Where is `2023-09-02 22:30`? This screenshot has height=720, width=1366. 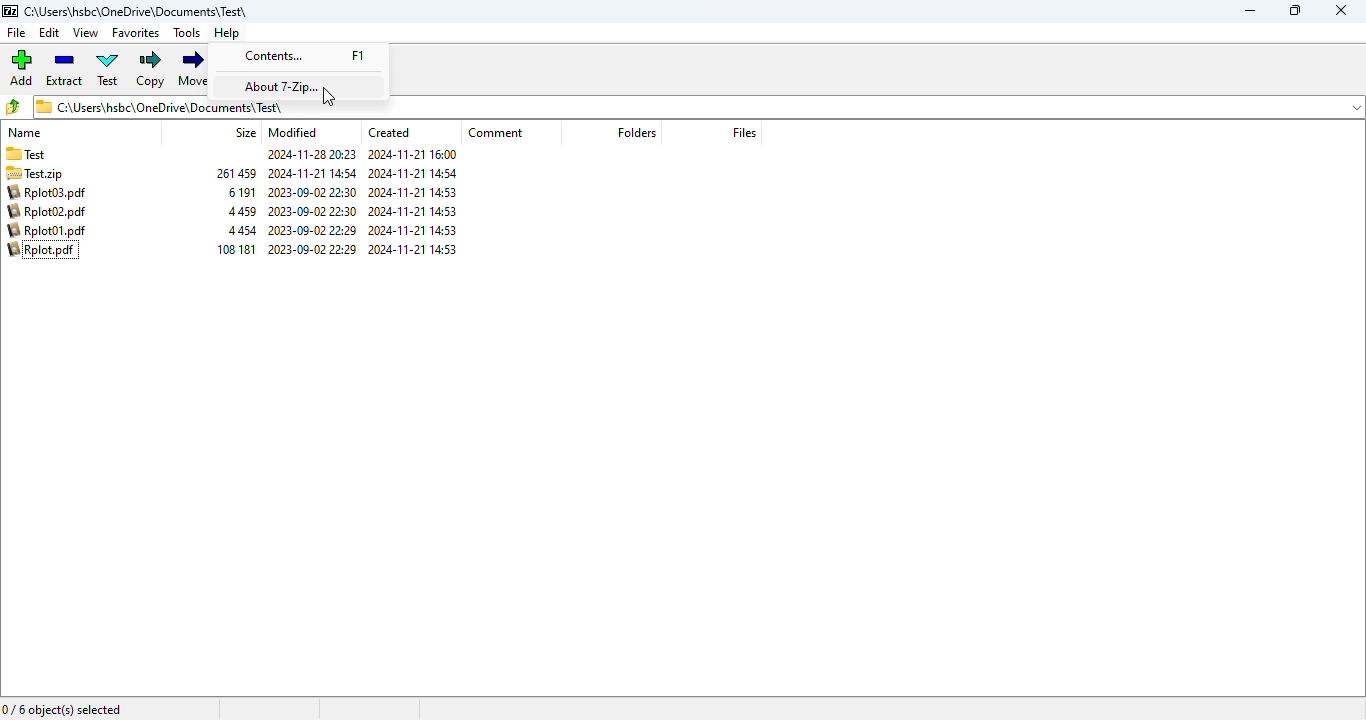
2023-09-02 22:30 is located at coordinates (314, 211).